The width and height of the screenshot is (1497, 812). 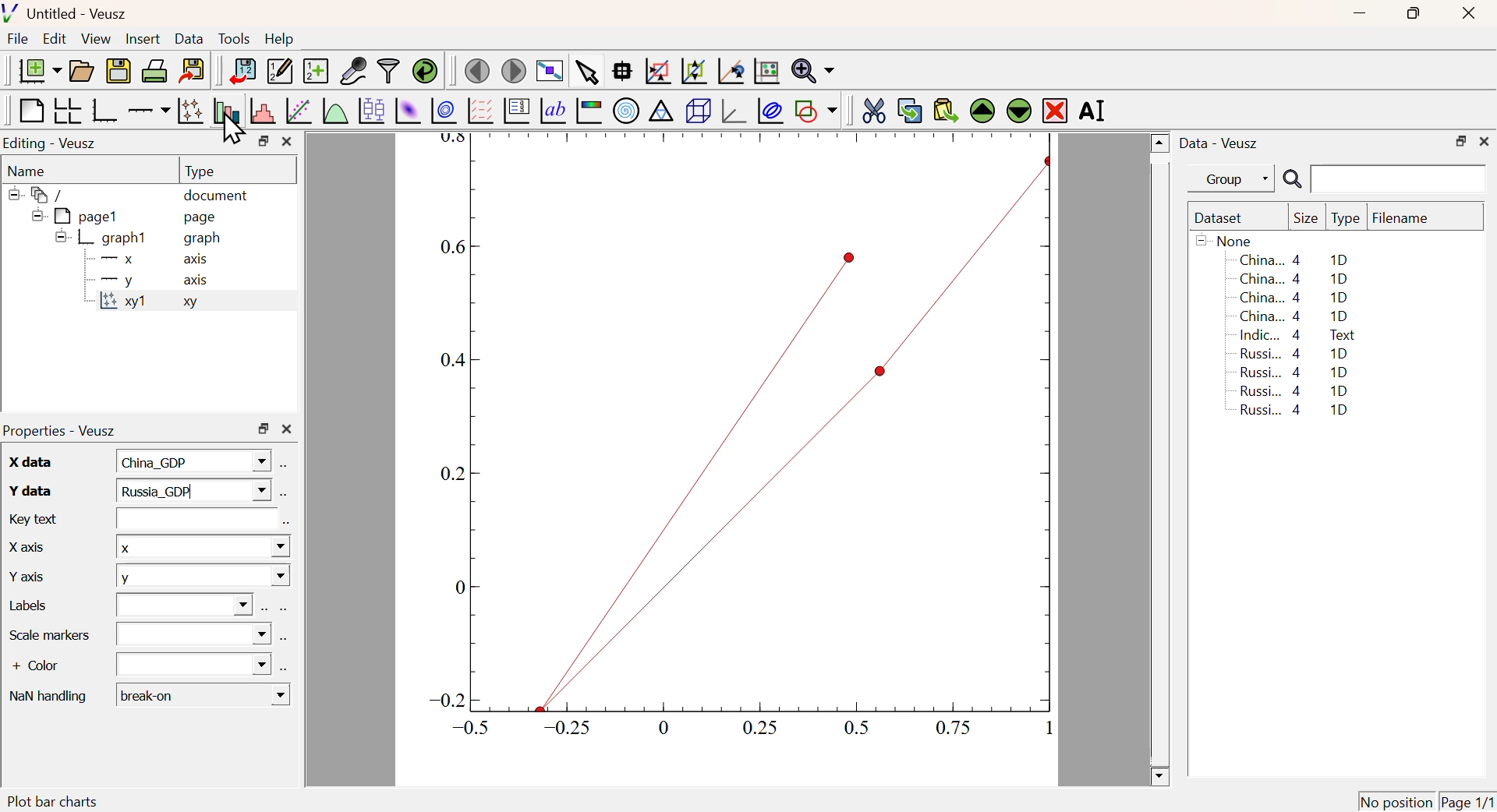 What do you see at coordinates (145, 302) in the screenshot?
I see `xy1 xy` at bounding box center [145, 302].